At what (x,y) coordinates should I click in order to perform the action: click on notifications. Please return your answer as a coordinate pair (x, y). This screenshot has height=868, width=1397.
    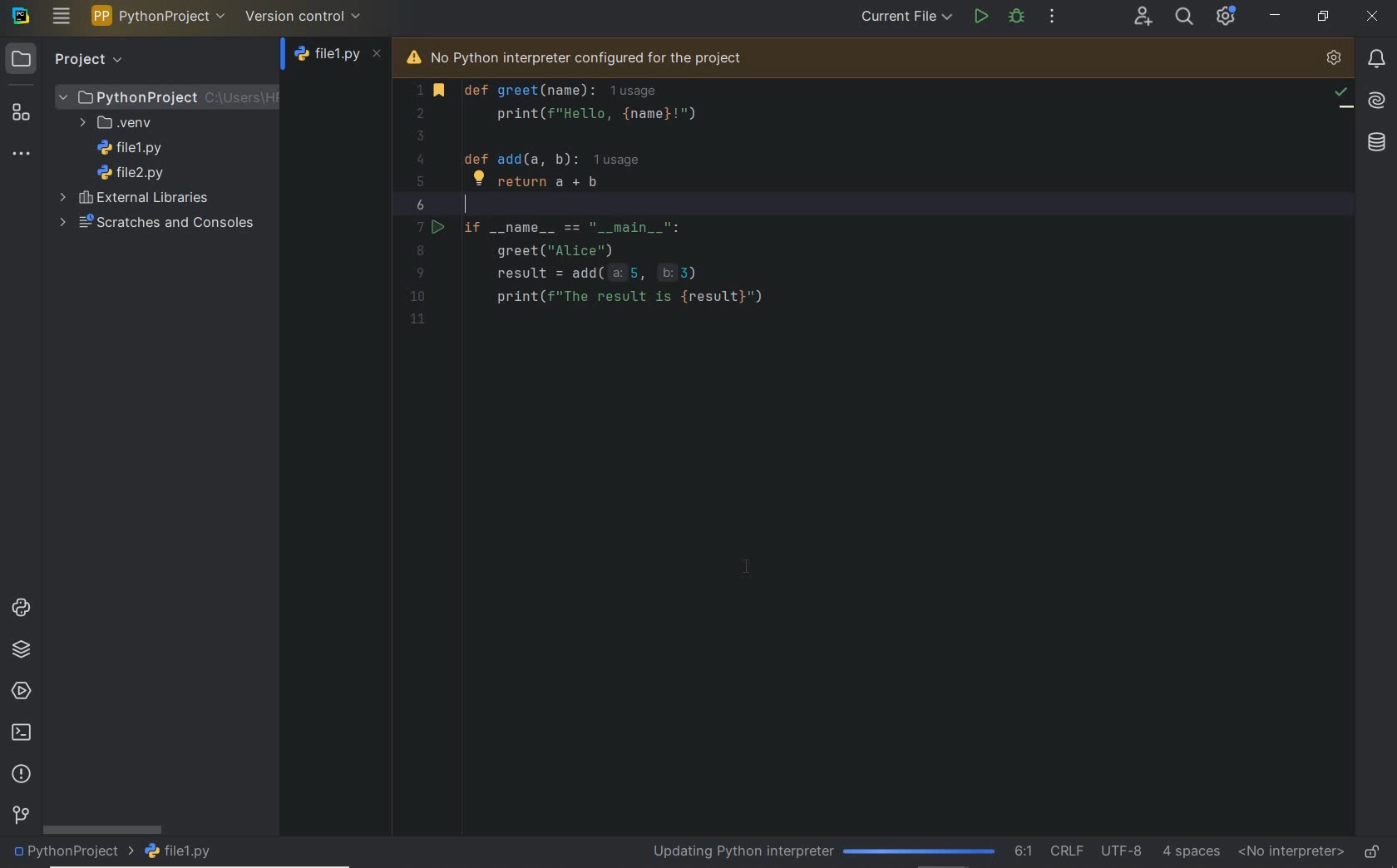
    Looking at the image, I should click on (1376, 58).